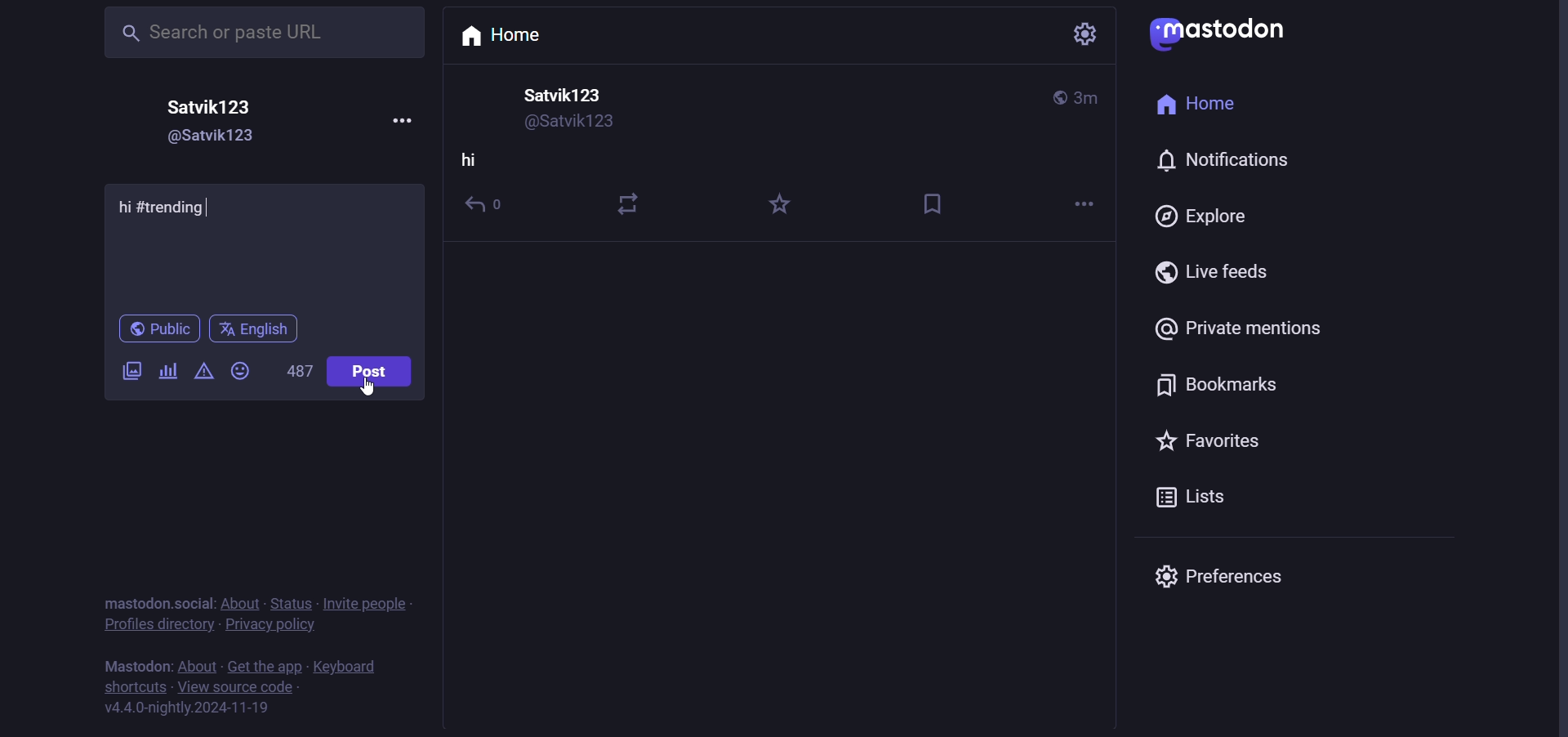 The height and width of the screenshot is (737, 1568). What do you see at coordinates (235, 690) in the screenshot?
I see `source code` at bounding box center [235, 690].